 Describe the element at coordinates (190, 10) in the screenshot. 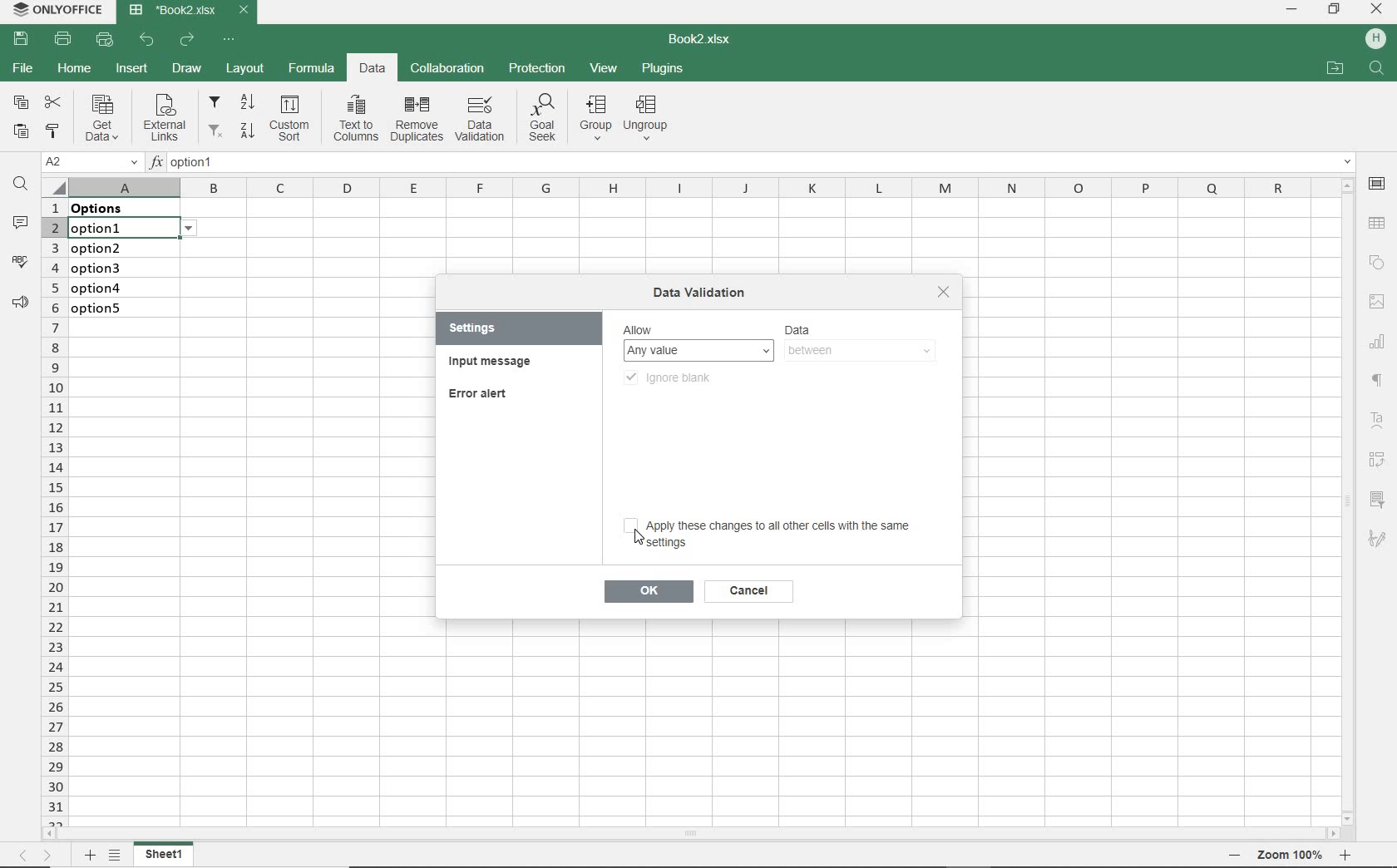

I see `DOCUMENT NAME` at that location.